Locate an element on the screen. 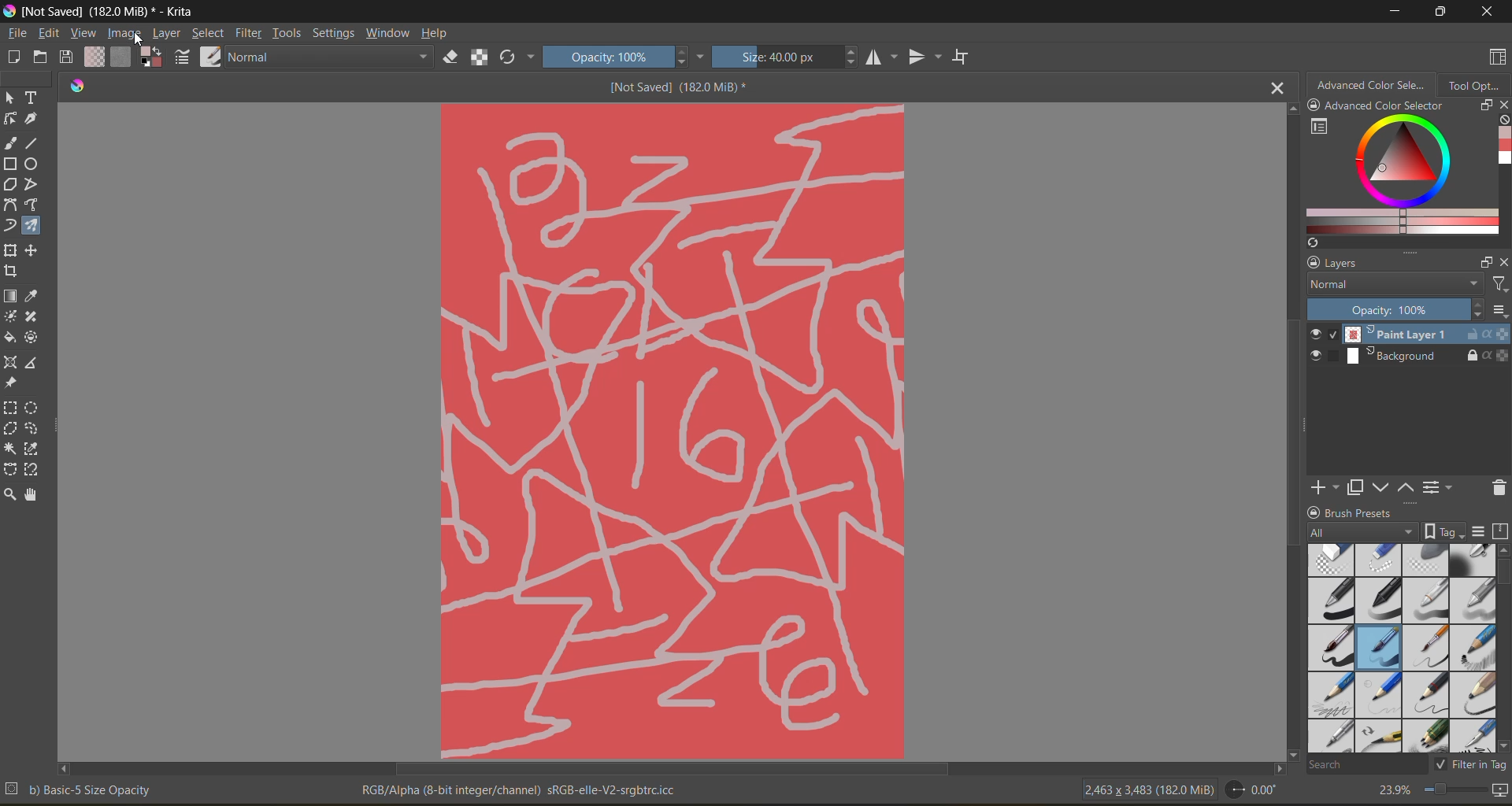  view or change layer is located at coordinates (1440, 488).